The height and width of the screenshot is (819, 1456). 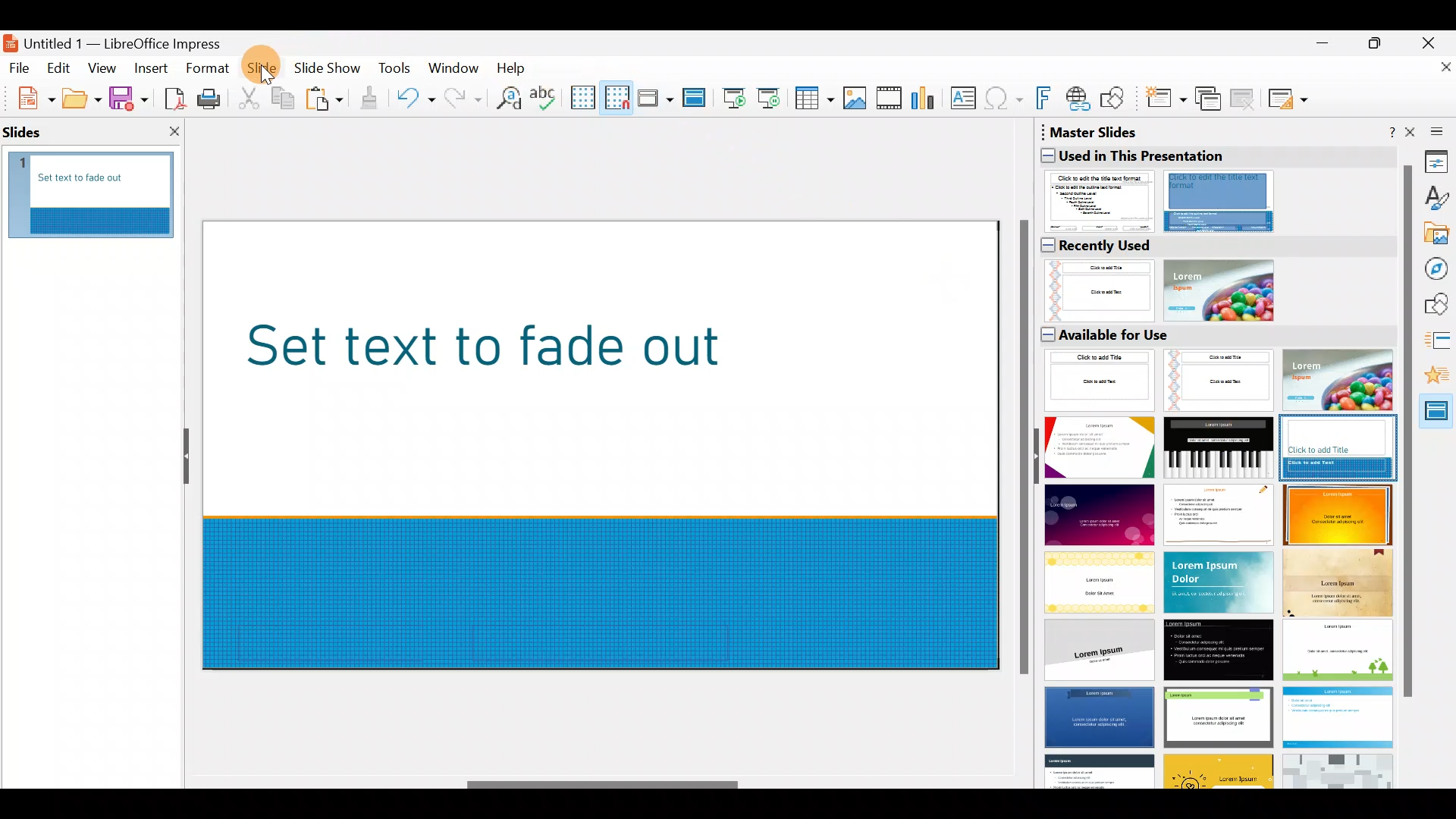 I want to click on Spelling, so click(x=545, y=97).